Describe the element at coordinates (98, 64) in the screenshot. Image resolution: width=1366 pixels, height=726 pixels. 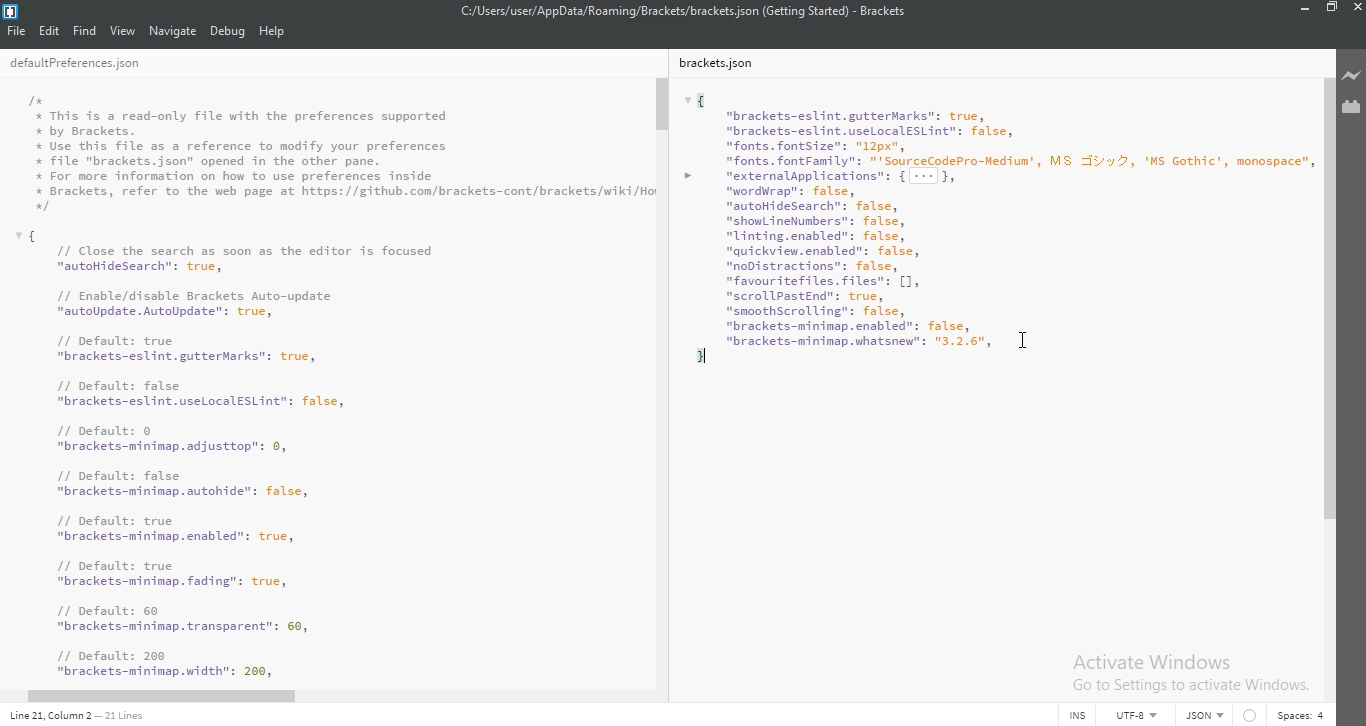
I see `defaultPreference.json` at that location.